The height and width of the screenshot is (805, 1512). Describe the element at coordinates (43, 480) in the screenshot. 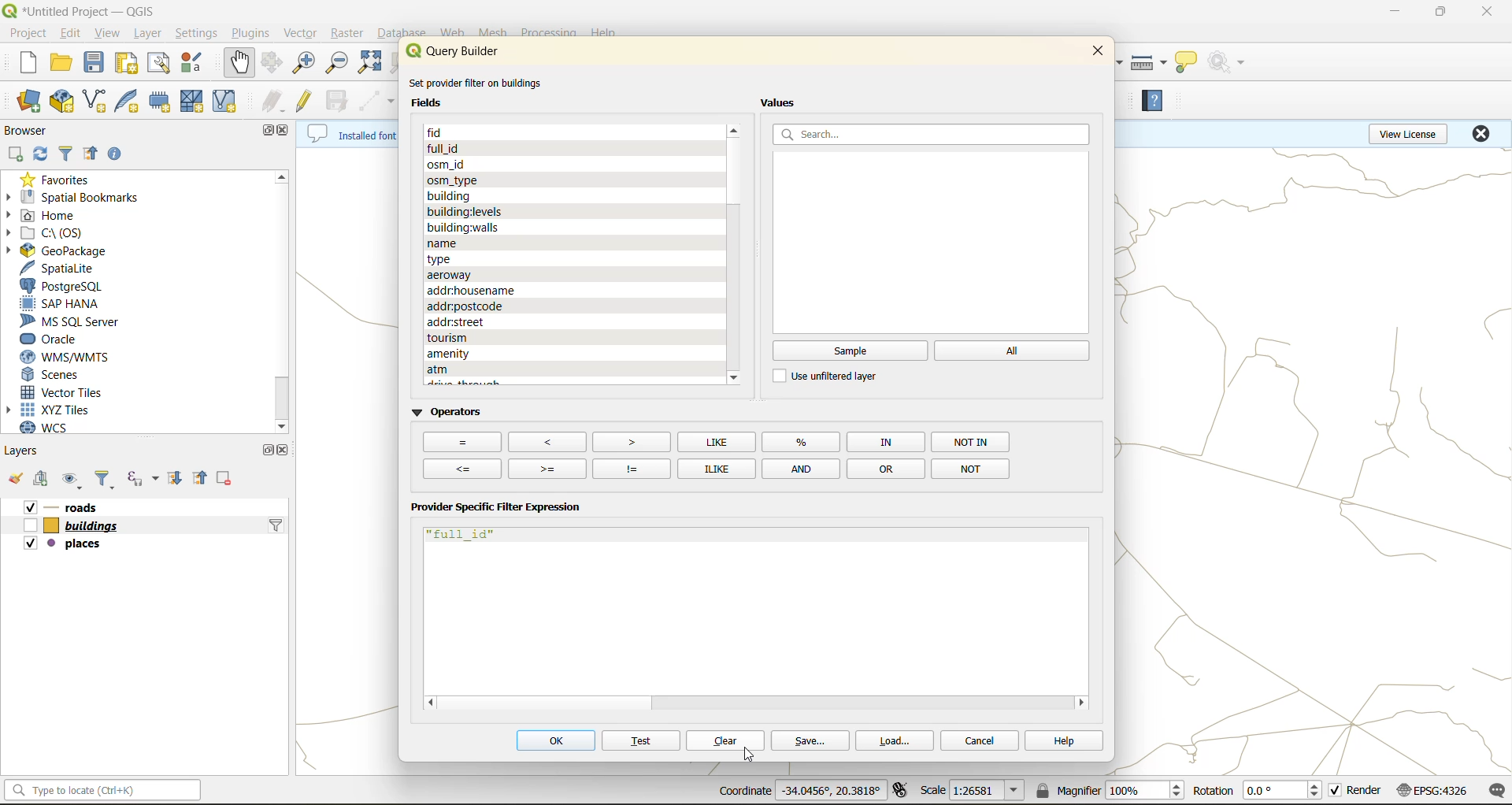

I see `add` at that location.